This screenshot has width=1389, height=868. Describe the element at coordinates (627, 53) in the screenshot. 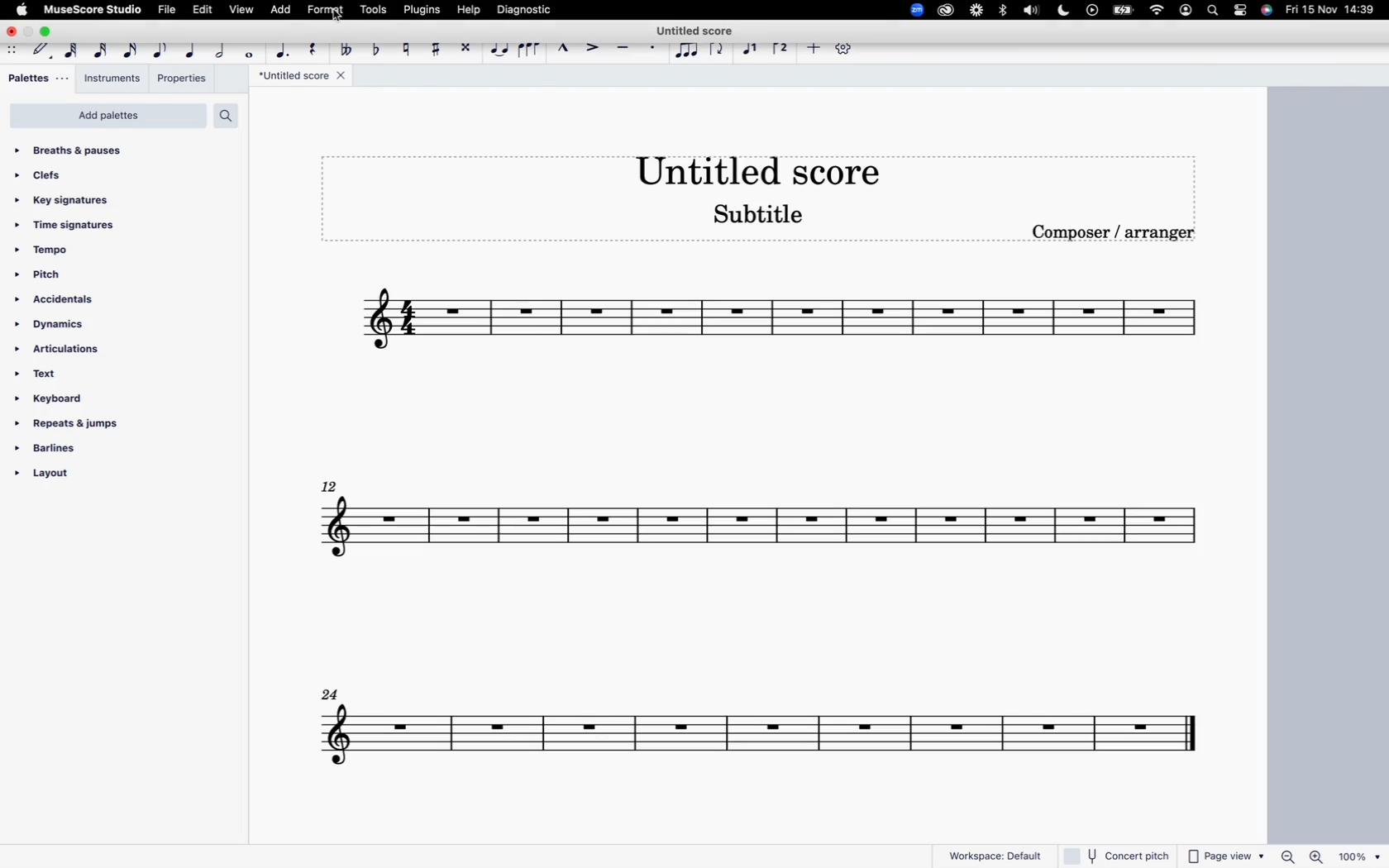

I see `tenuto` at that location.